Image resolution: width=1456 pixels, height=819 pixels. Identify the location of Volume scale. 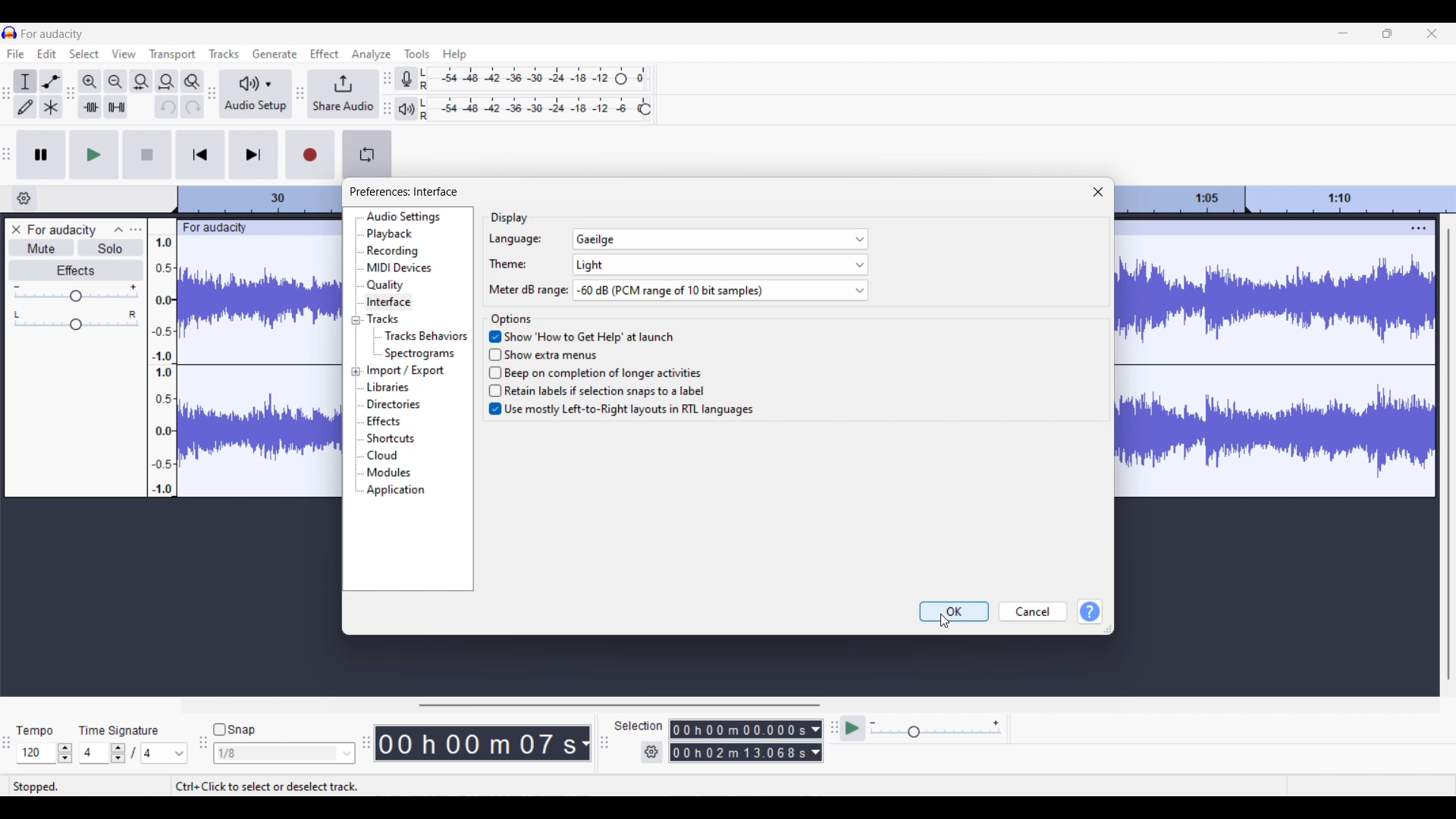
(76, 293).